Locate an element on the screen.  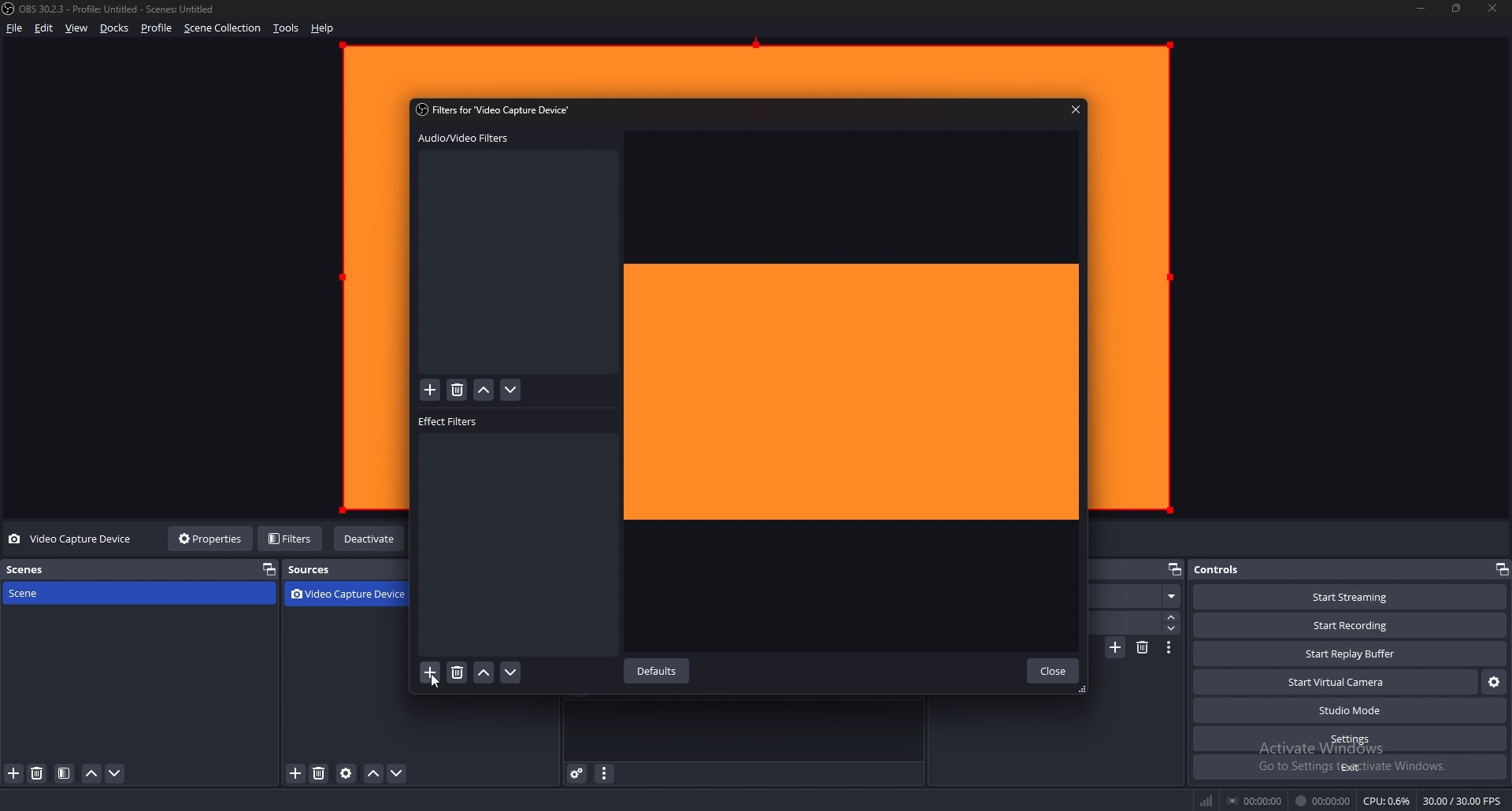
remove source is located at coordinates (319, 775).